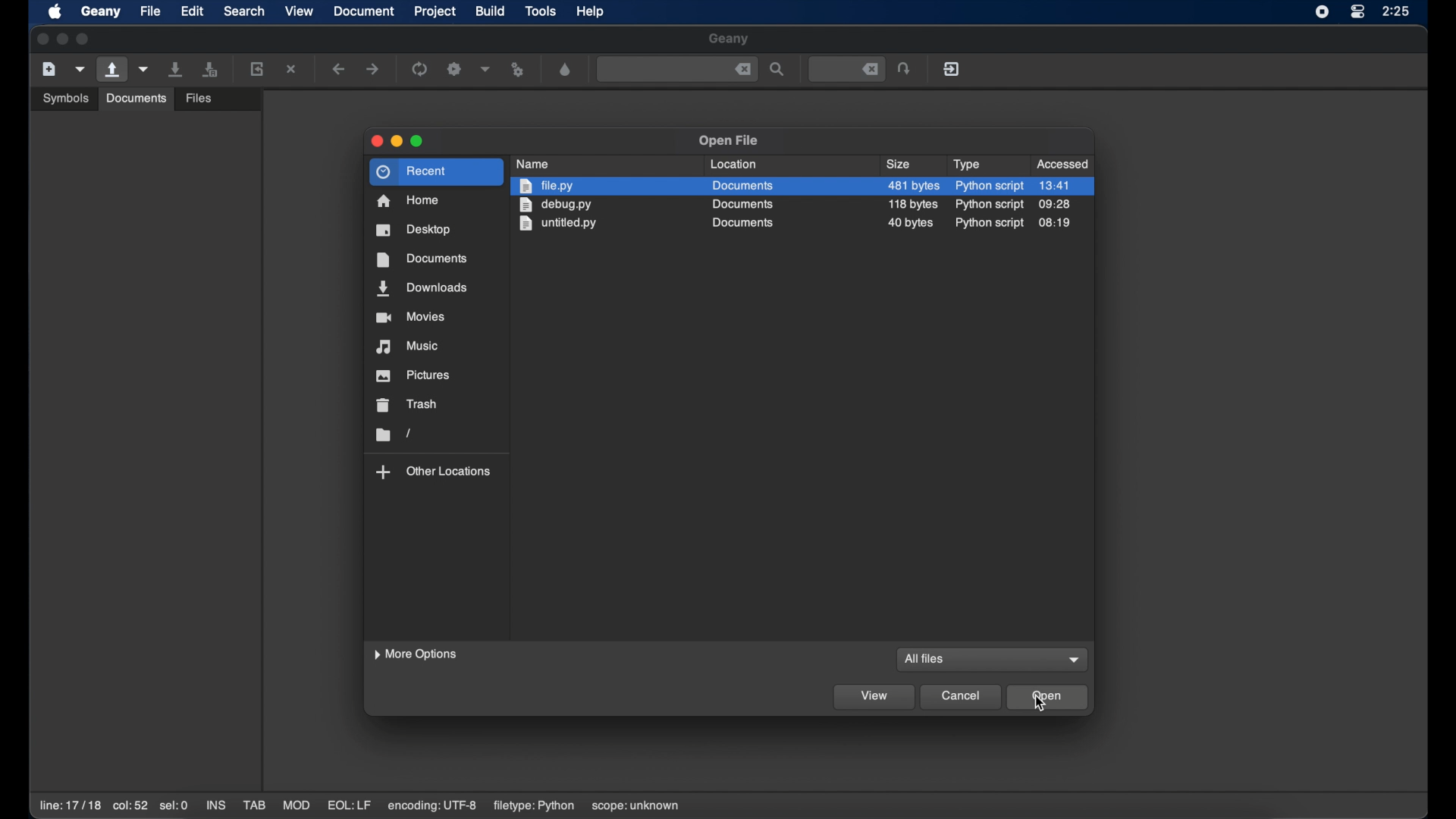 This screenshot has height=819, width=1456. Describe the element at coordinates (374, 70) in the screenshot. I see `navigate forward a location` at that location.